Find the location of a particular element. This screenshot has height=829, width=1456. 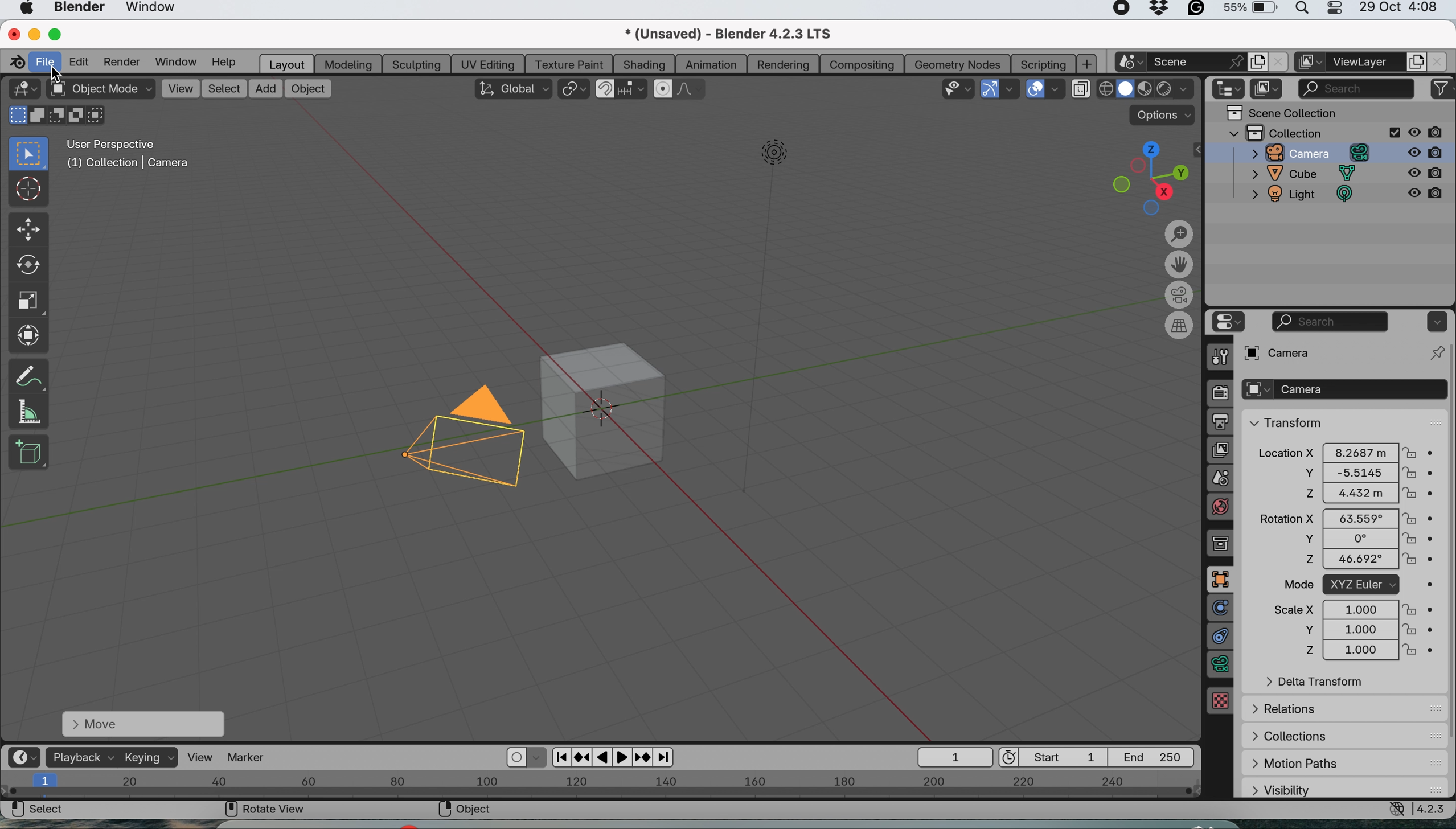

blender is located at coordinates (77, 9).